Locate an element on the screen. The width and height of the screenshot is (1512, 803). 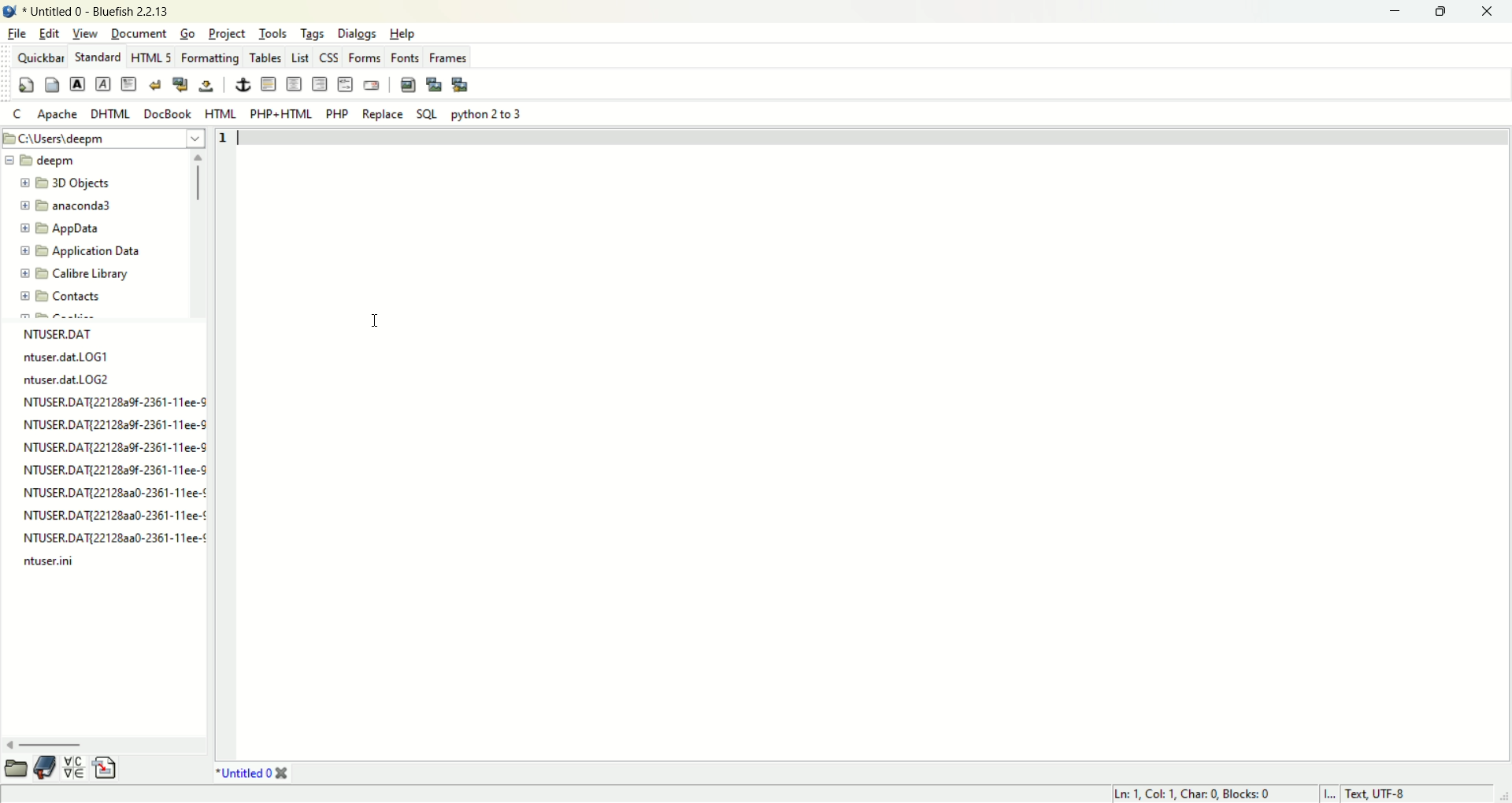
text, UTF-8 is located at coordinates (1386, 794).